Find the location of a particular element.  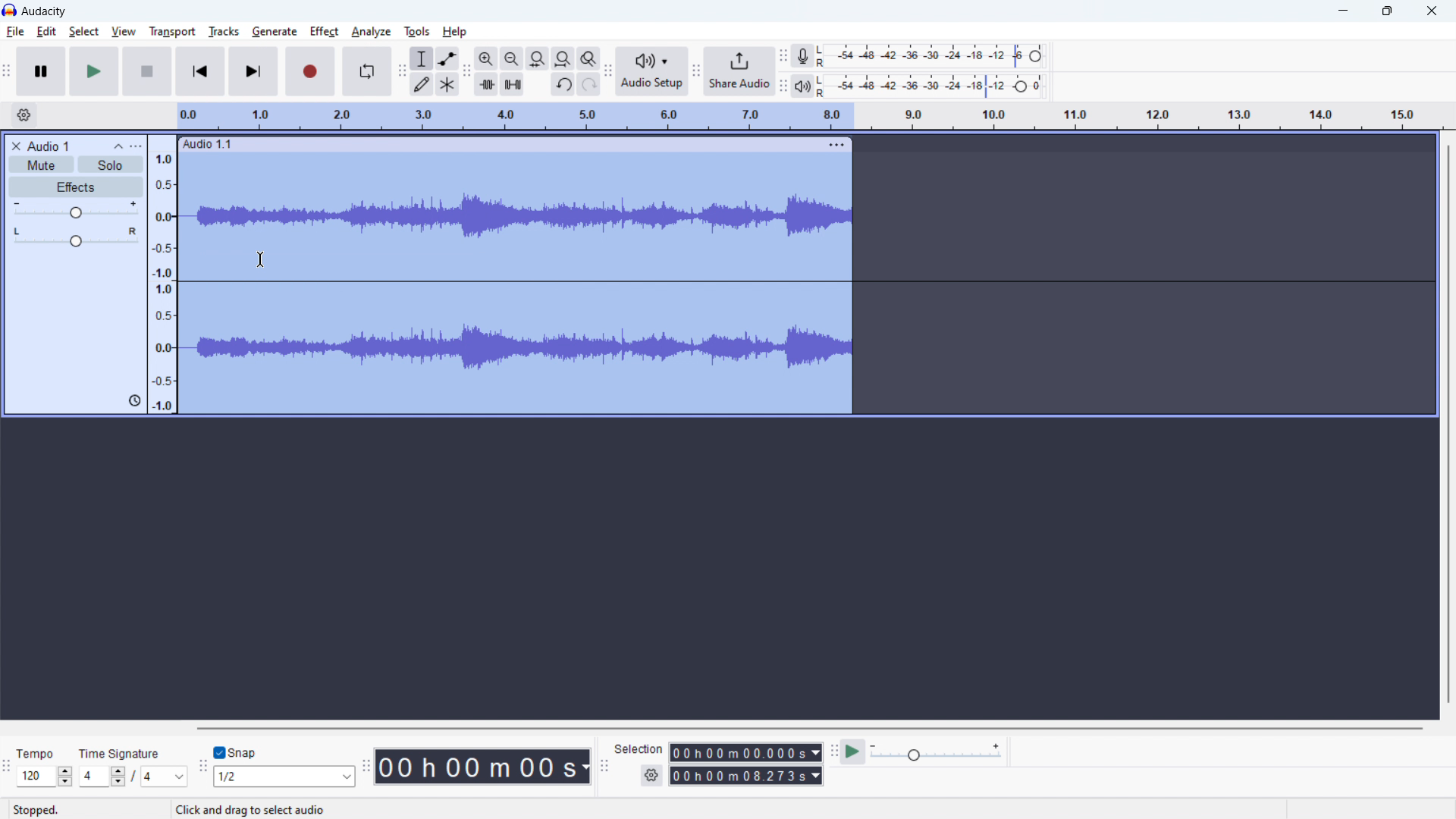

audio setup toolbar is located at coordinates (609, 71).